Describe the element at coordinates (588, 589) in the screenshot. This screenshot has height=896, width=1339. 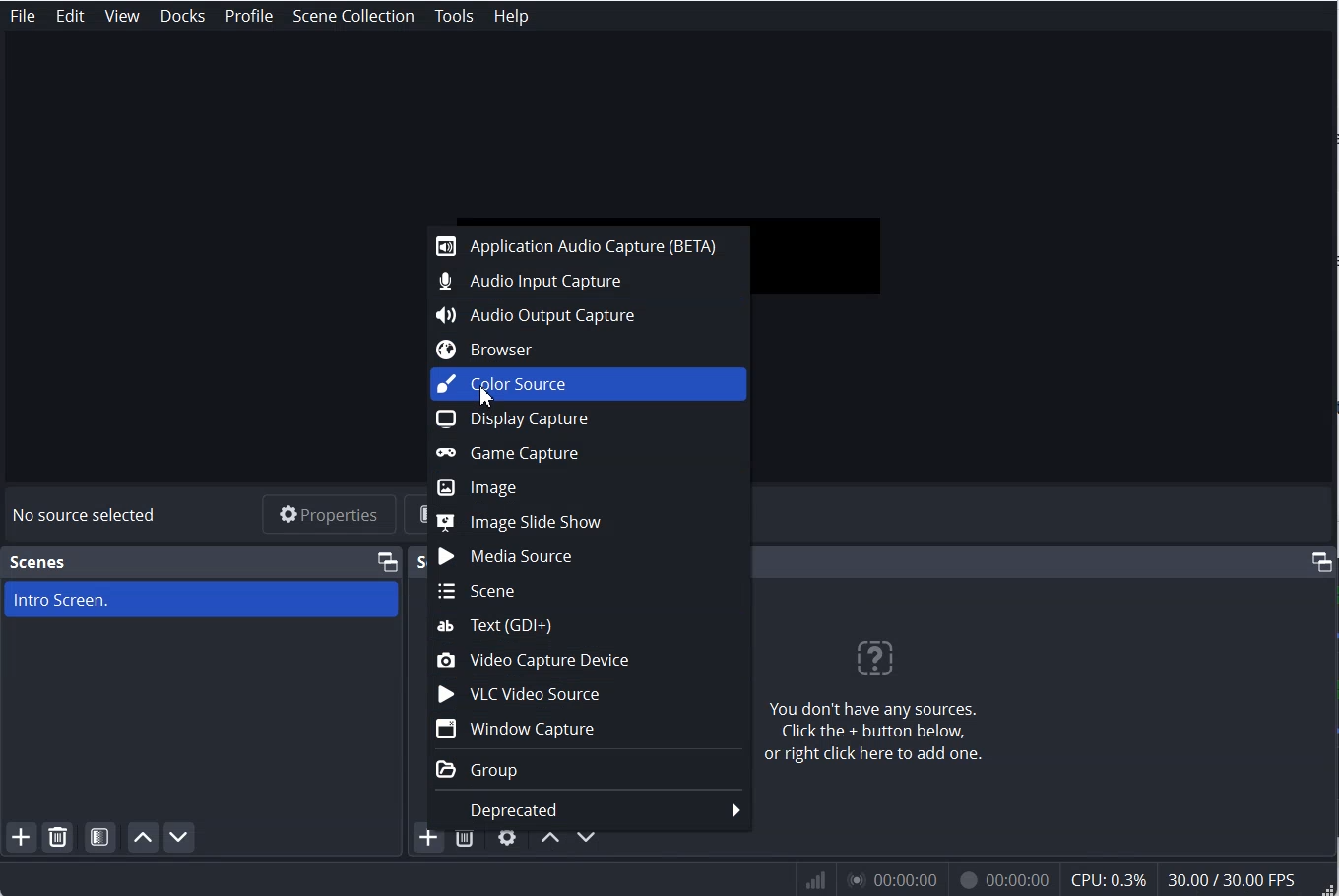
I see `Scene` at that location.